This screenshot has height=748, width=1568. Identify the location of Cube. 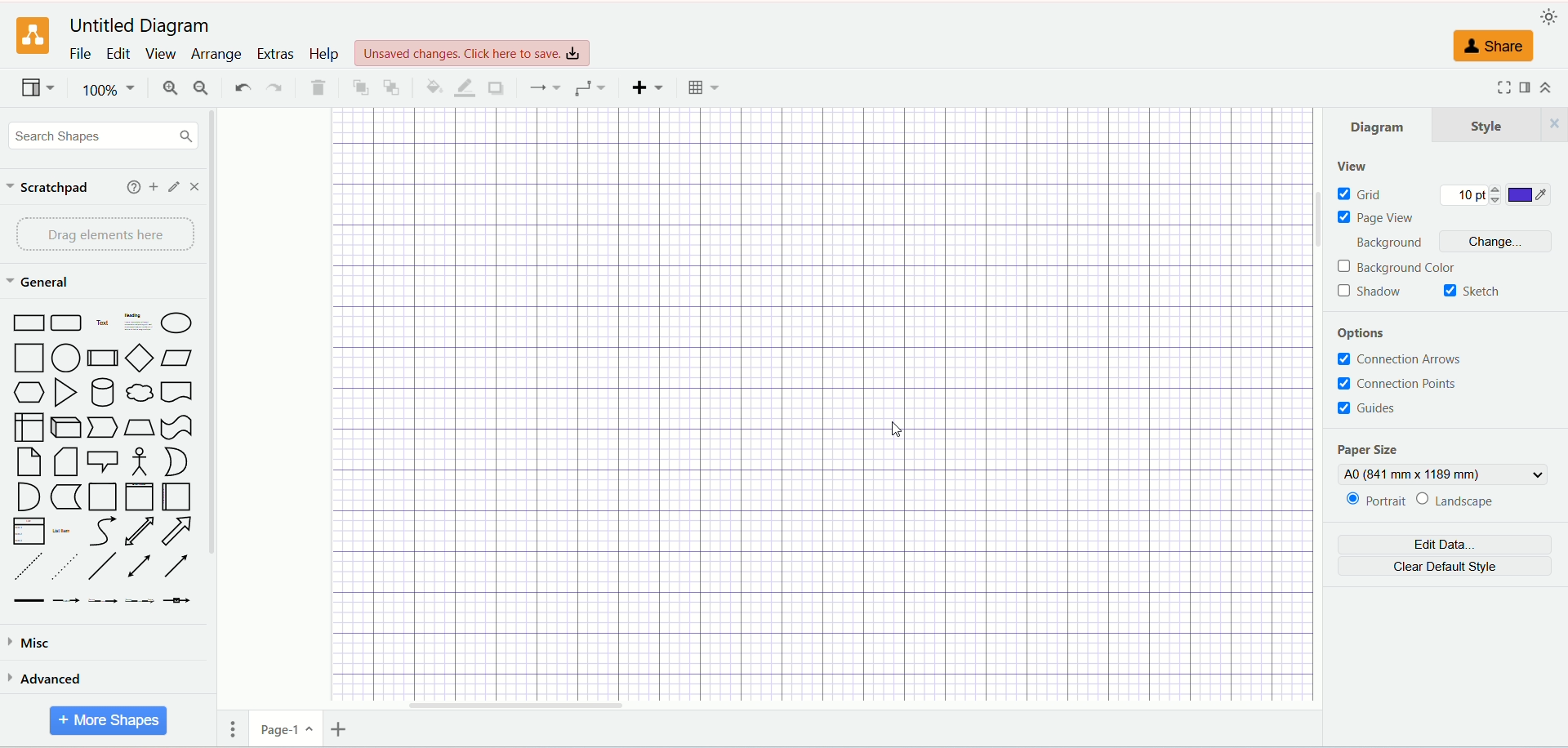
(65, 428).